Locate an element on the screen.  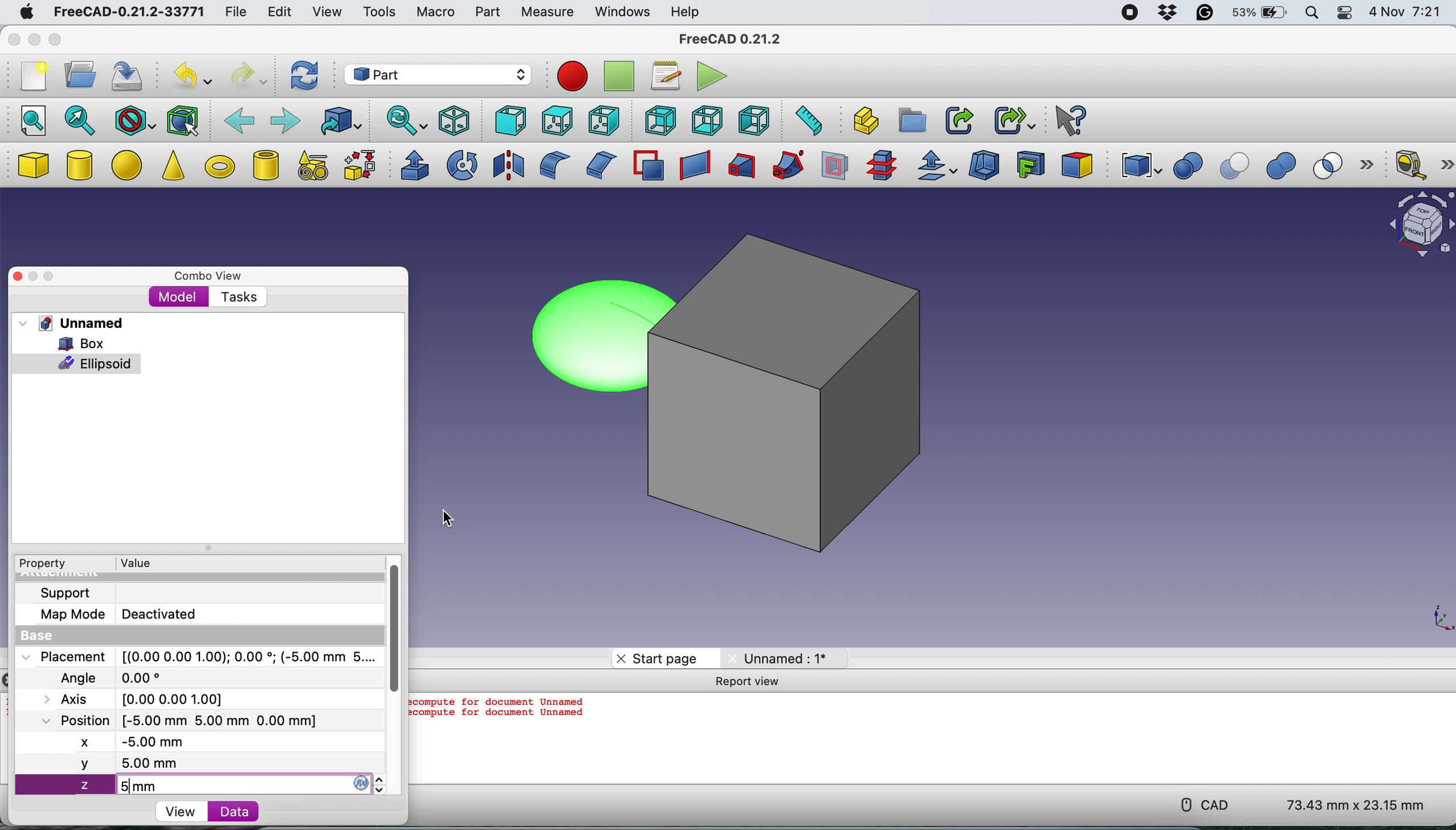
make face from wires is located at coordinates (648, 165).